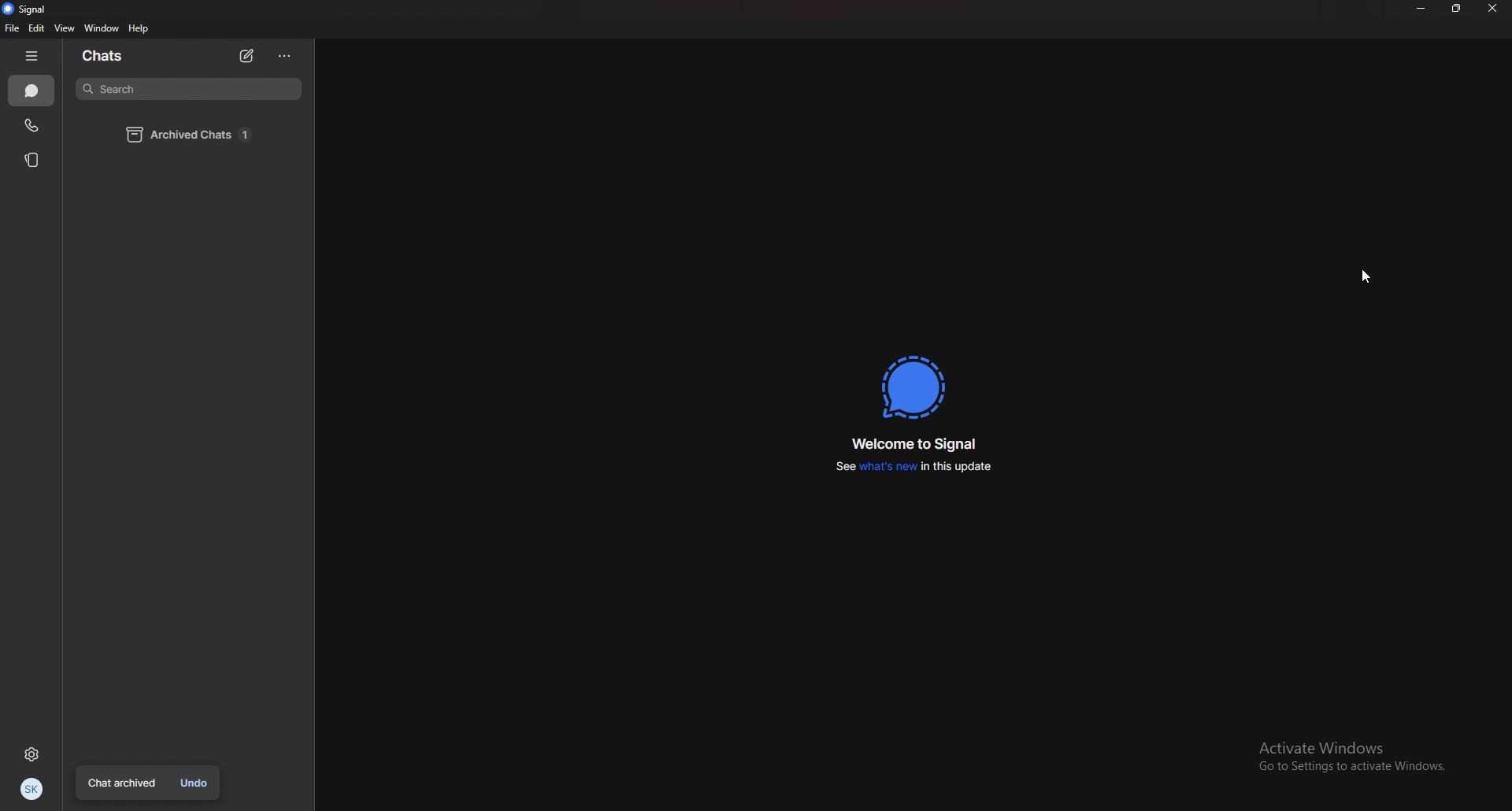 The image size is (1512, 811). What do you see at coordinates (139, 29) in the screenshot?
I see `help` at bounding box center [139, 29].